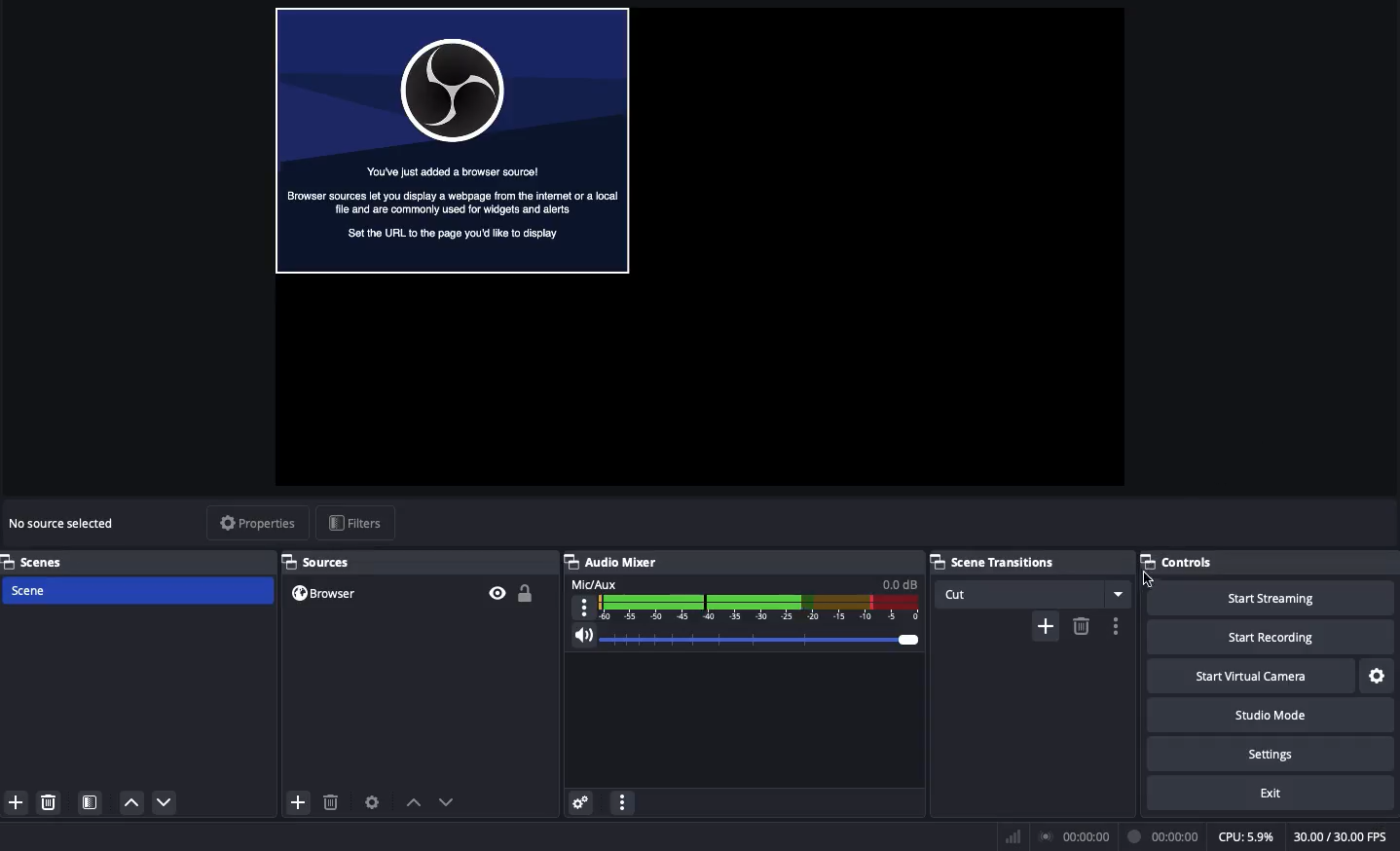 The image size is (1400, 851). I want to click on Advanced audio menu, so click(583, 801).